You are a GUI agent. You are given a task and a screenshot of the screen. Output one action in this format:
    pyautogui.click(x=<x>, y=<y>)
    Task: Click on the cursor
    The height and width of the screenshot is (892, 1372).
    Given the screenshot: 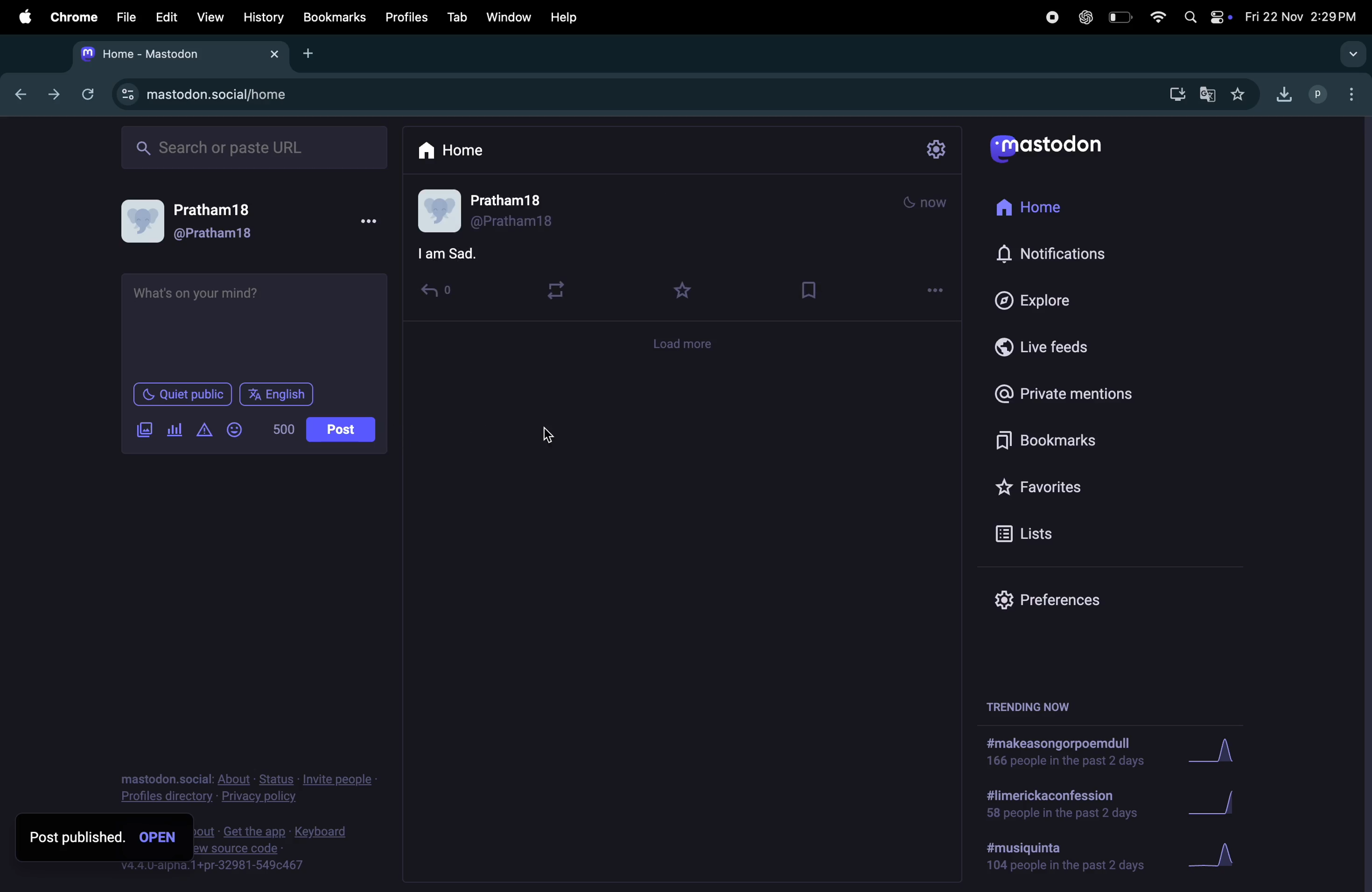 What is the action you would take?
    pyautogui.click(x=553, y=438)
    